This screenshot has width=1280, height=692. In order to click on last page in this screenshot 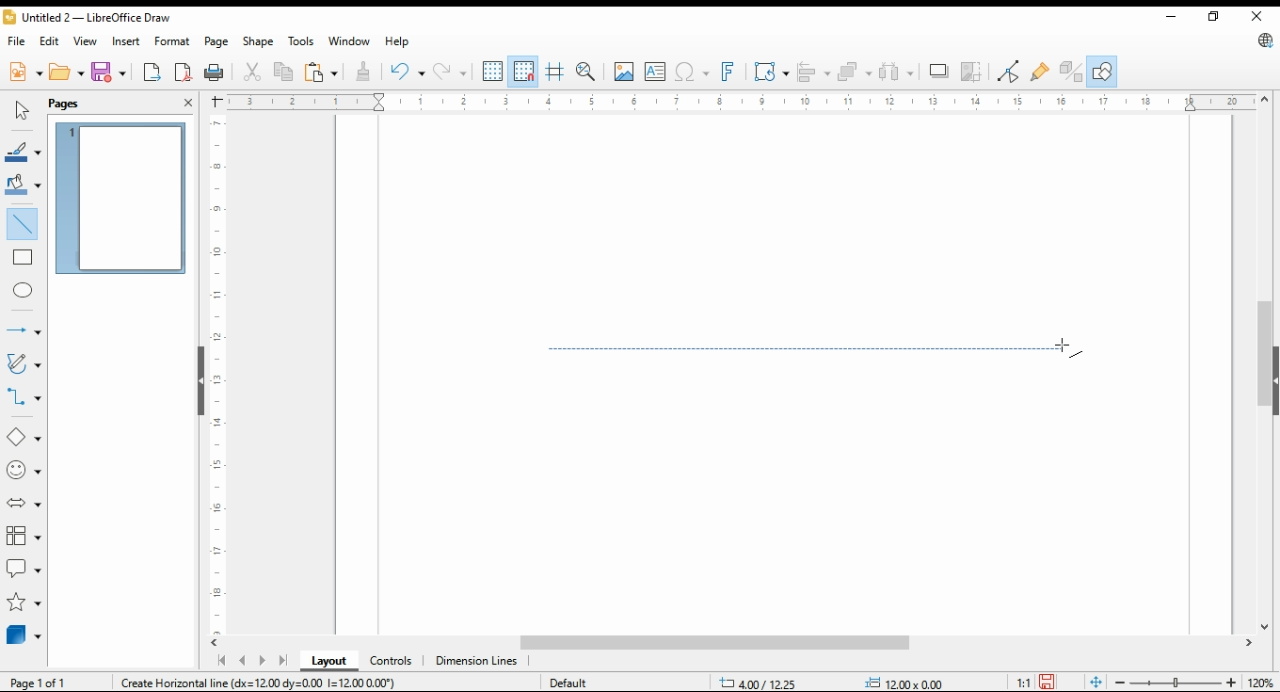, I will do `click(282, 662)`.